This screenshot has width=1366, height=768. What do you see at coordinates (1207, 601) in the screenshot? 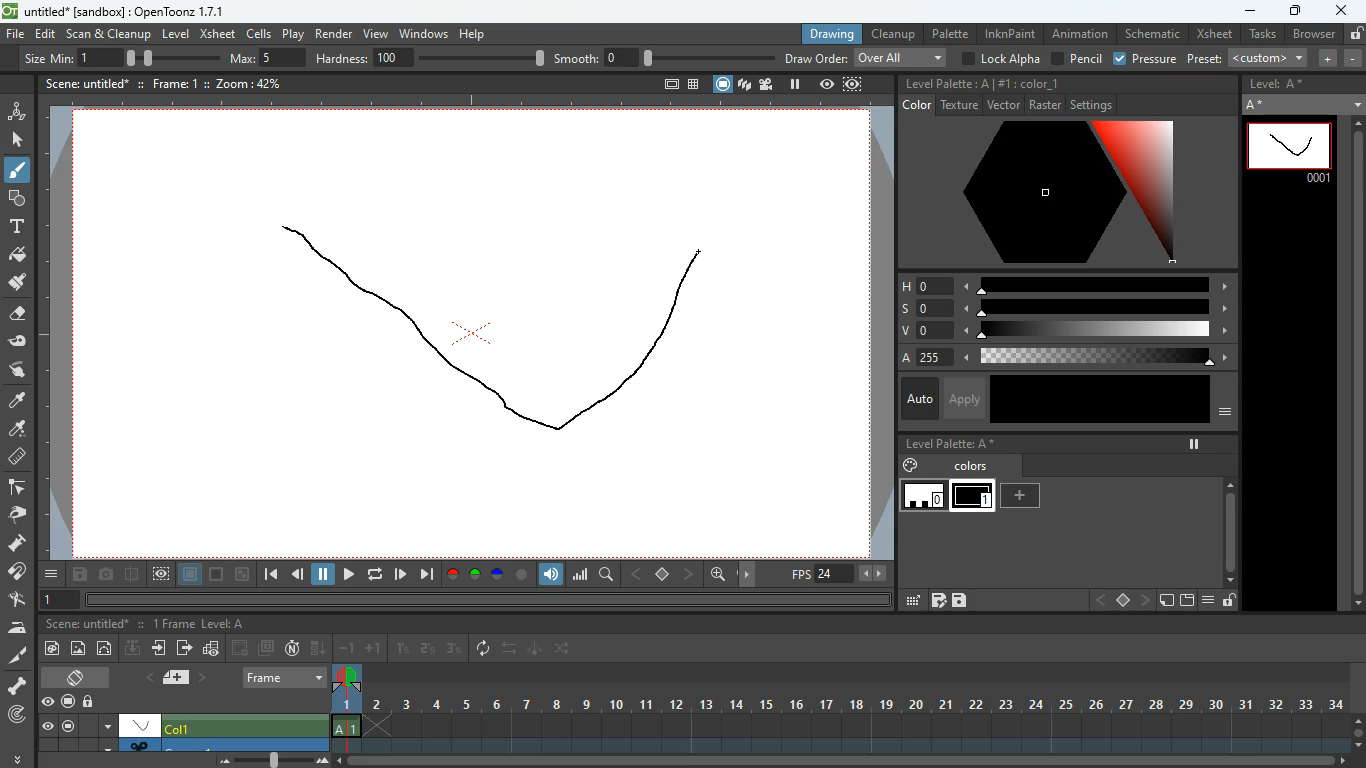
I see `menu` at bounding box center [1207, 601].